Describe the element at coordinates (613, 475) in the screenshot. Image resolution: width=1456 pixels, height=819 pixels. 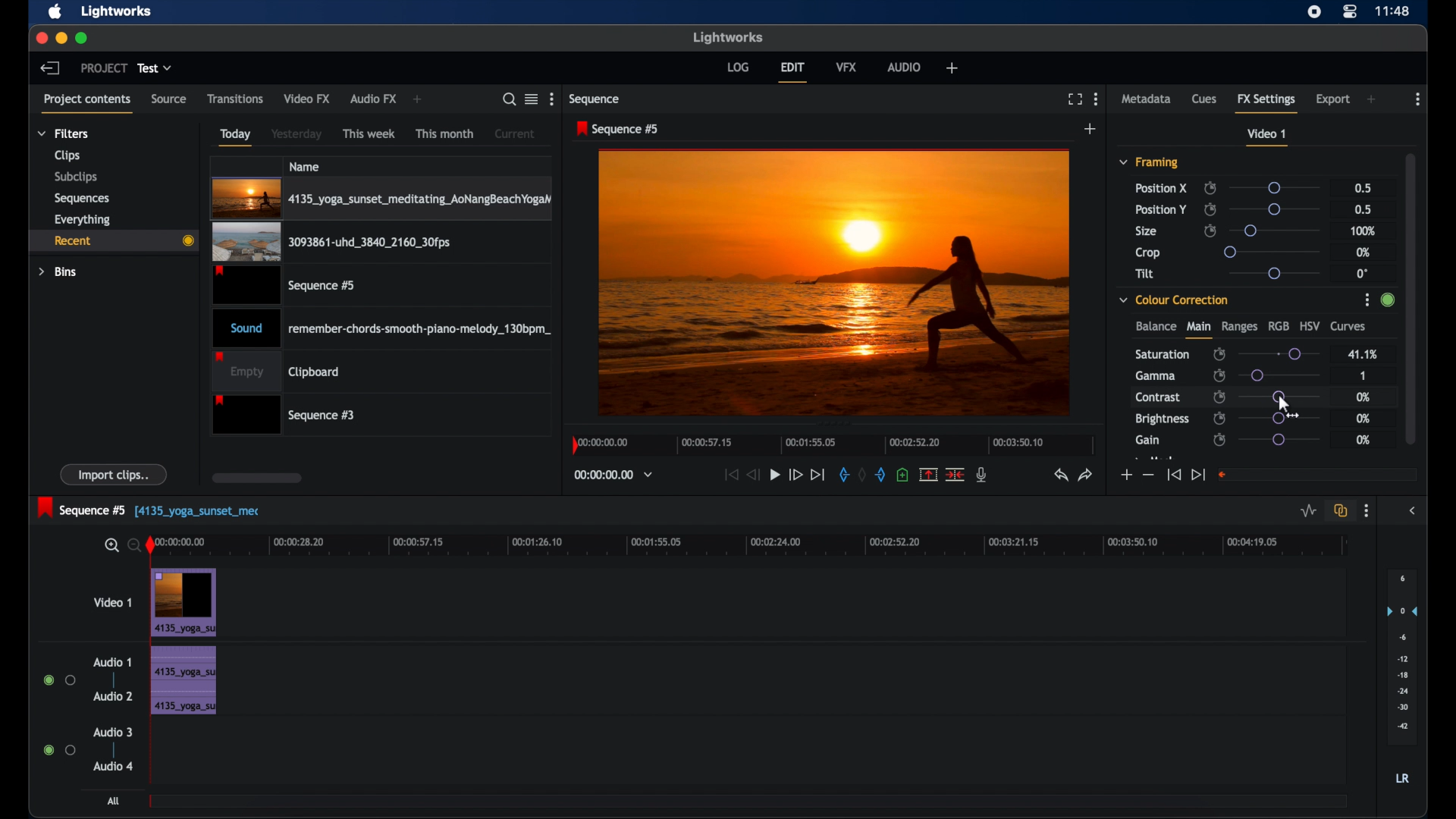
I see `timecodes and reels` at that location.